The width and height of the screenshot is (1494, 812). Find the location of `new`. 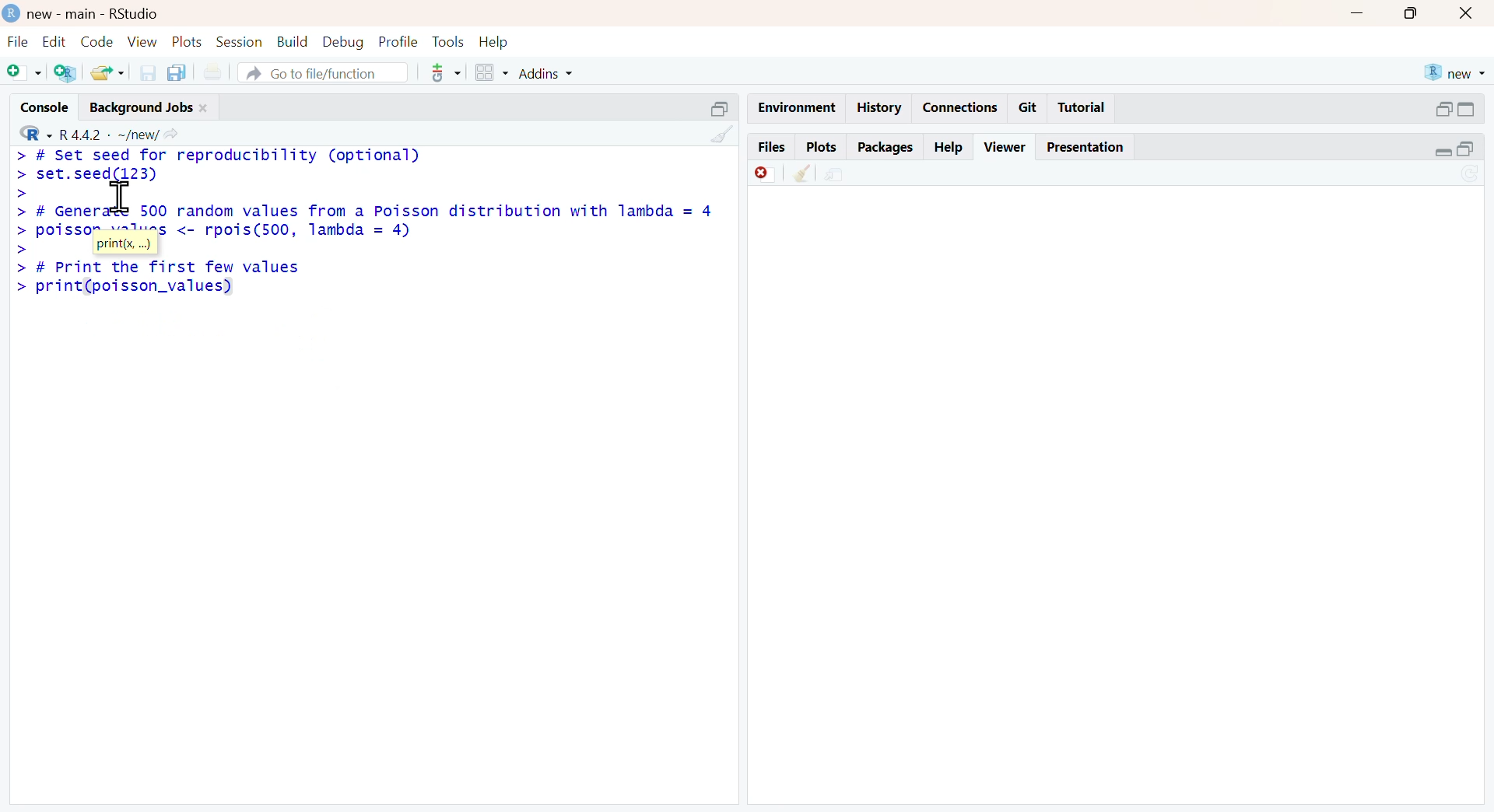

new is located at coordinates (1456, 74).